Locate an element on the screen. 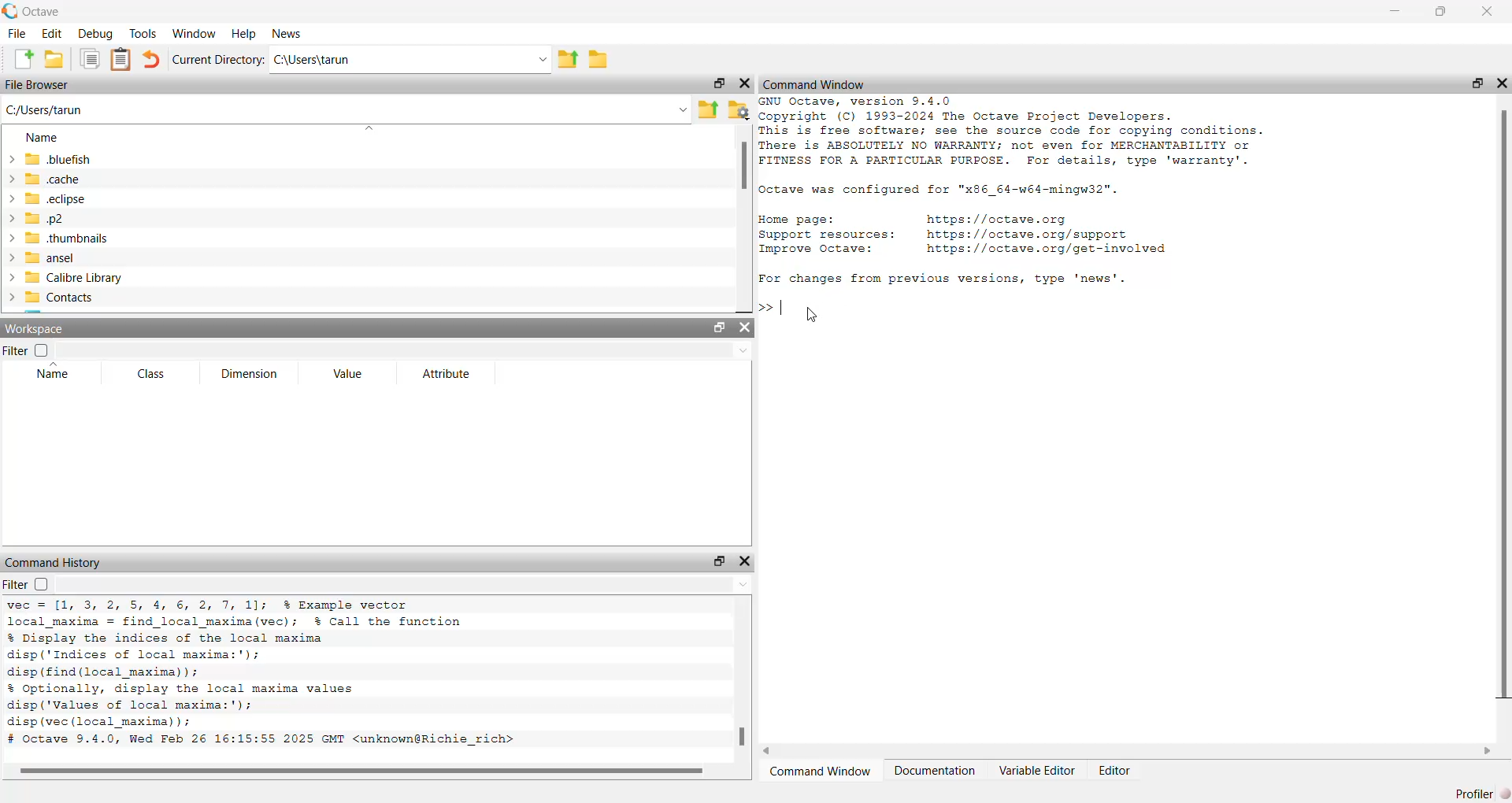 This screenshot has width=1512, height=803. Undock Widget is located at coordinates (718, 83).